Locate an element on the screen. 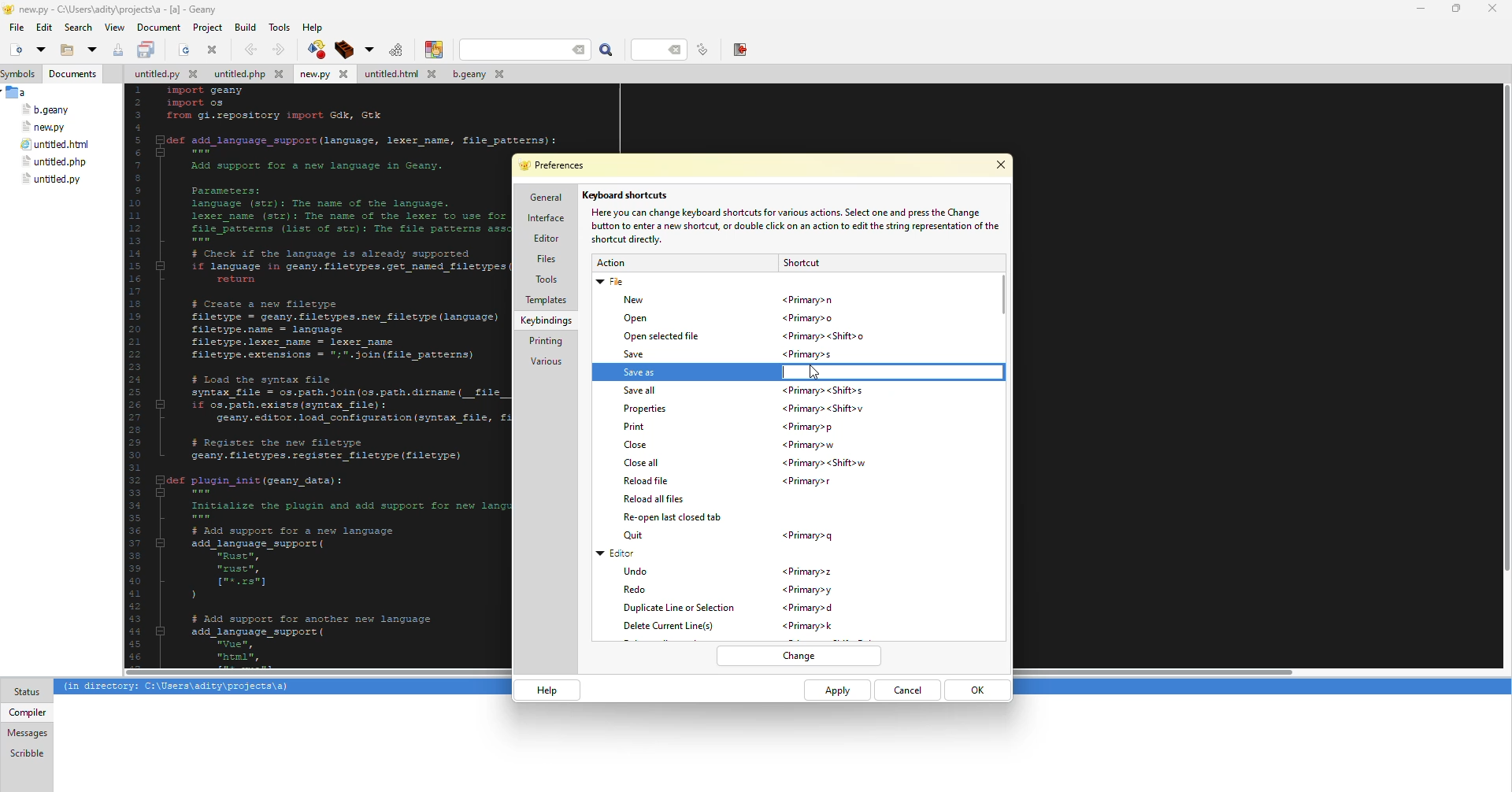 This screenshot has height=792, width=1512. line number is located at coordinates (663, 49).